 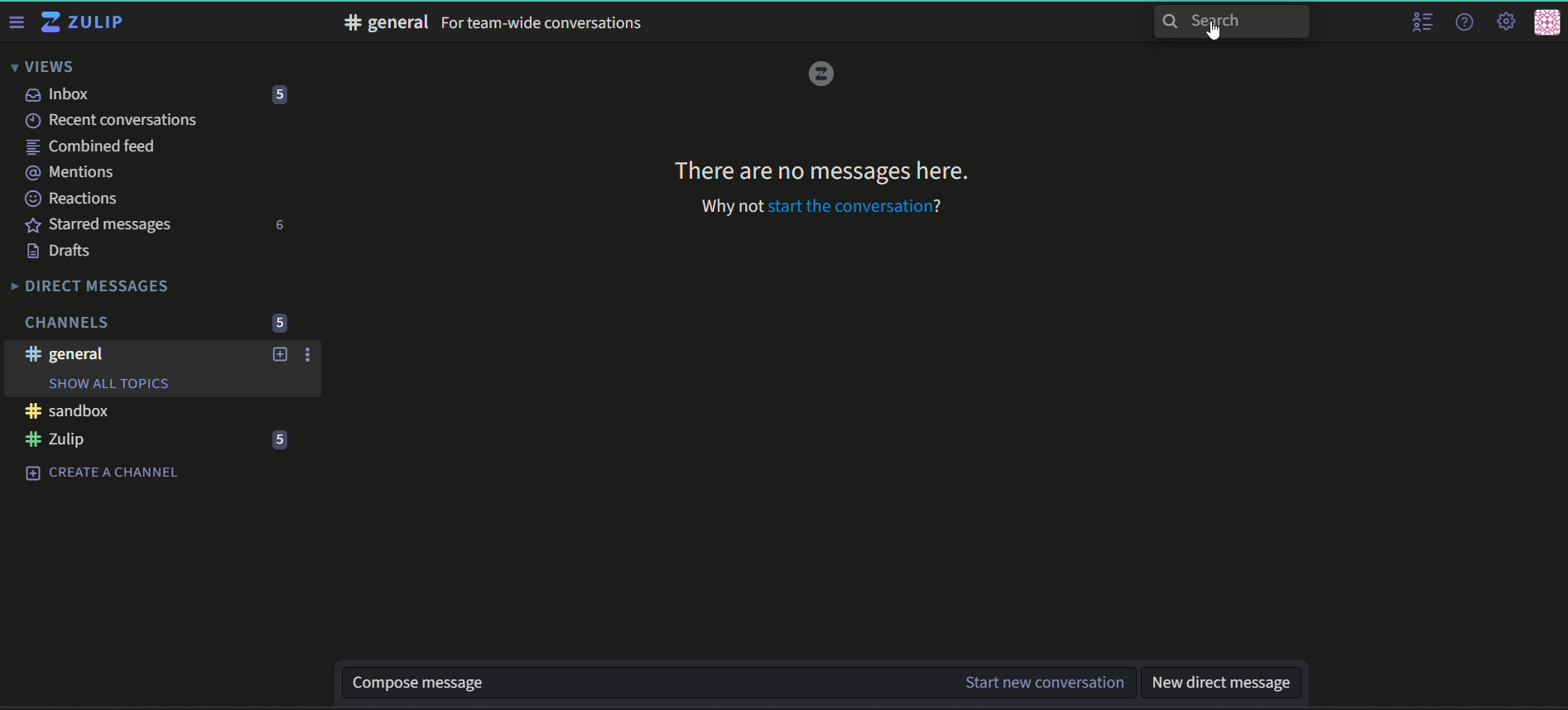 I want to click on Menu, so click(x=16, y=22).